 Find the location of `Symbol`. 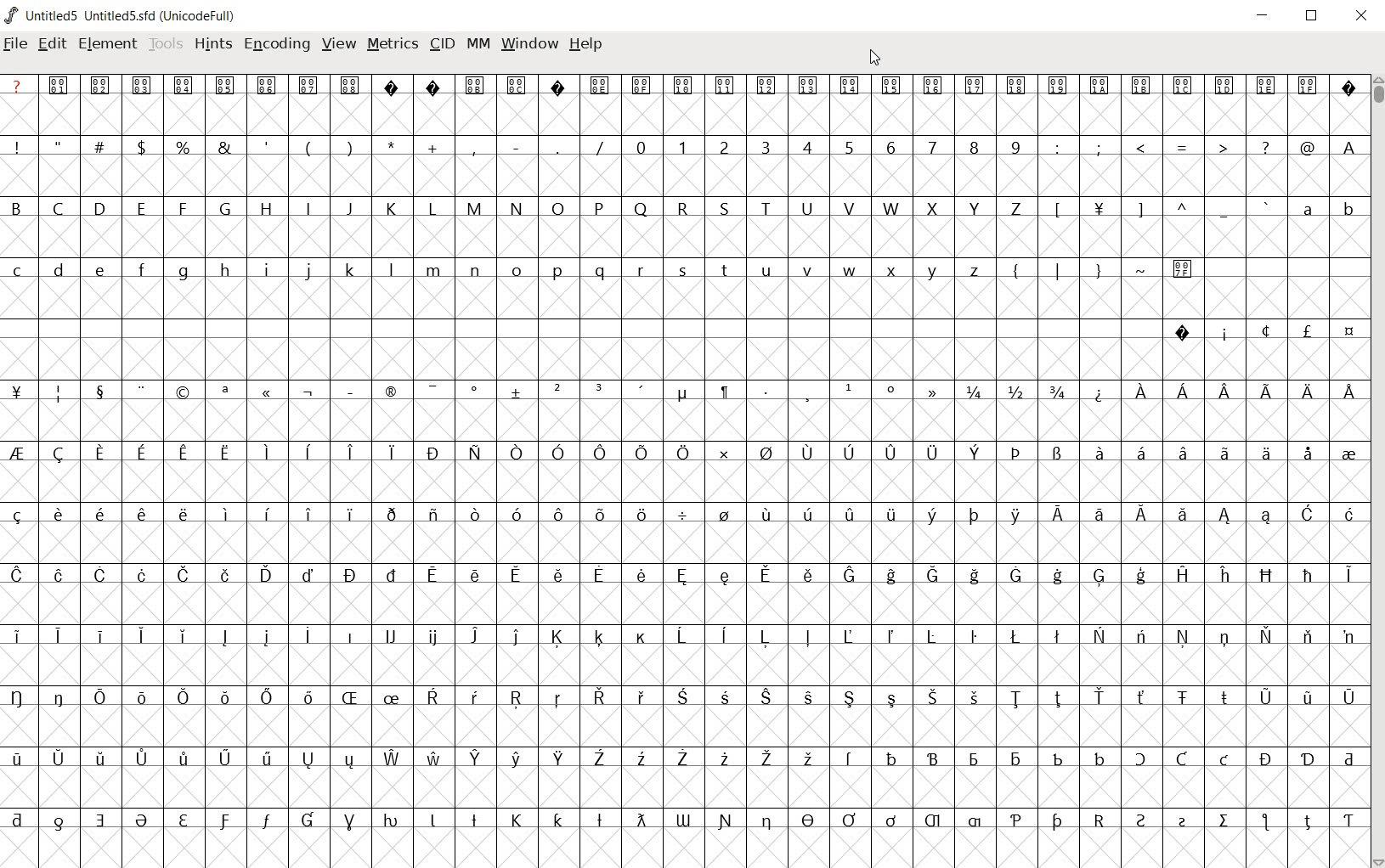

Symbol is located at coordinates (308, 513).